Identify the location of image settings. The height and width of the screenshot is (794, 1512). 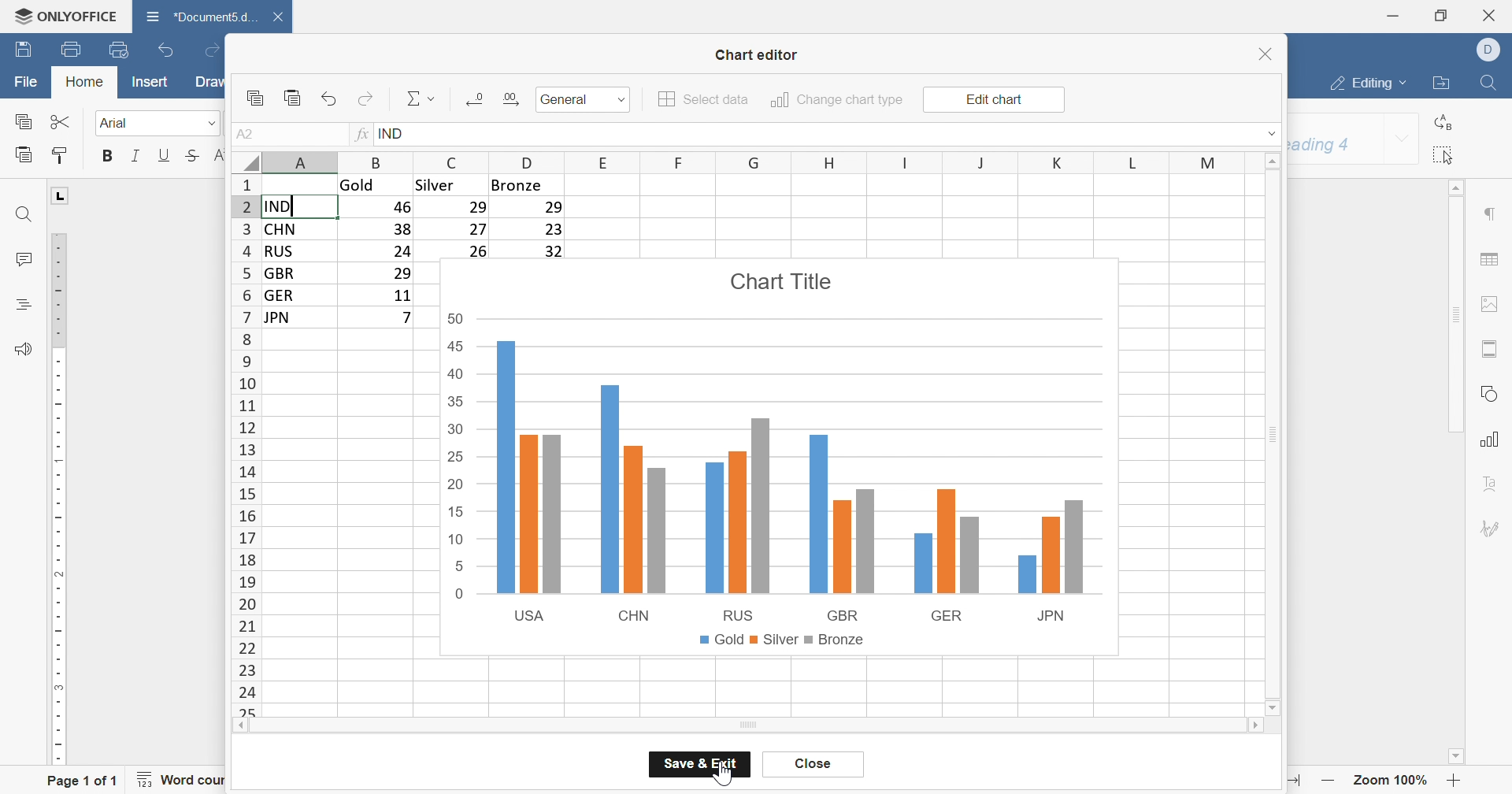
(1488, 305).